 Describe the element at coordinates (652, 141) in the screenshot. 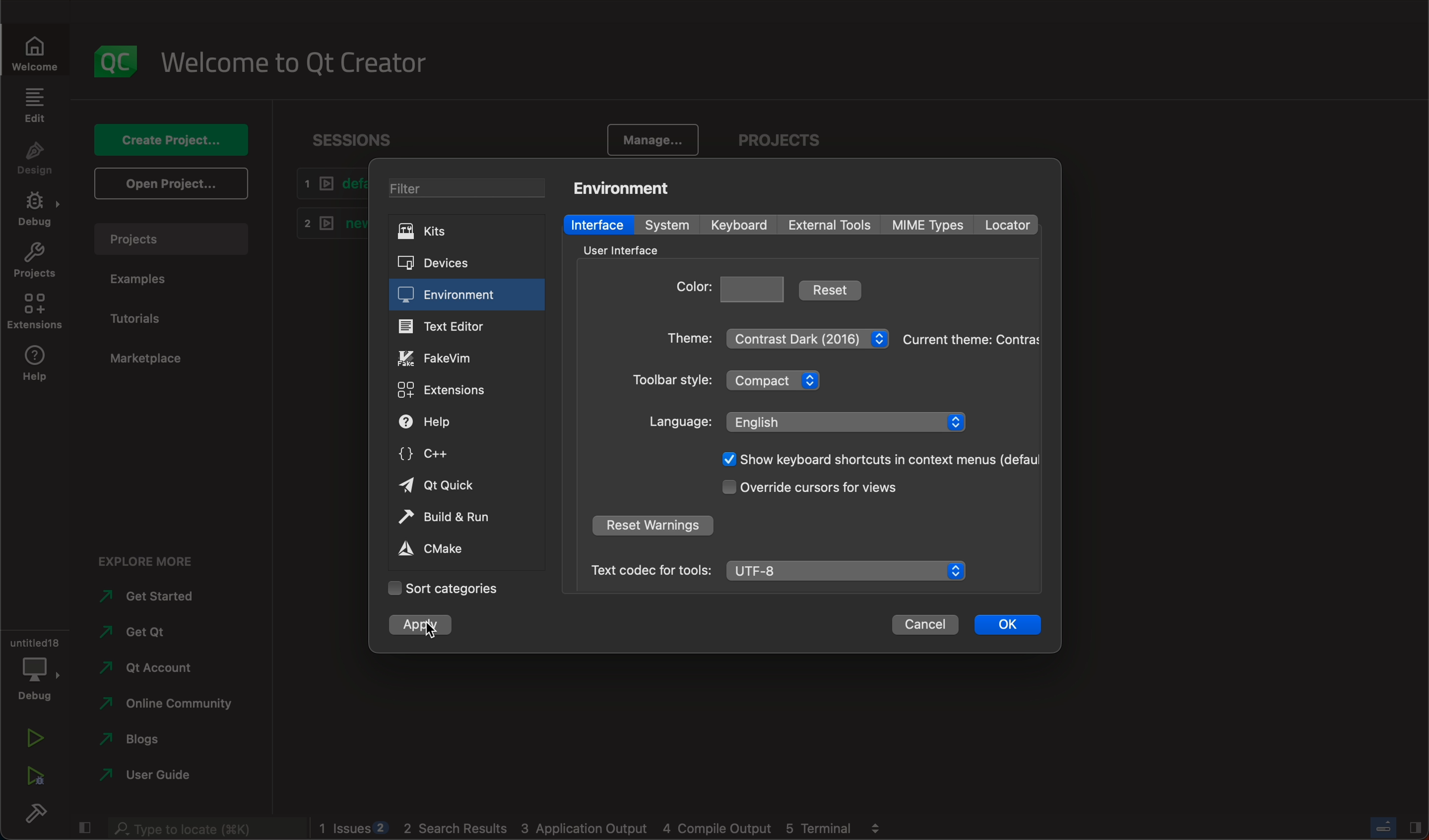

I see `manage` at that location.